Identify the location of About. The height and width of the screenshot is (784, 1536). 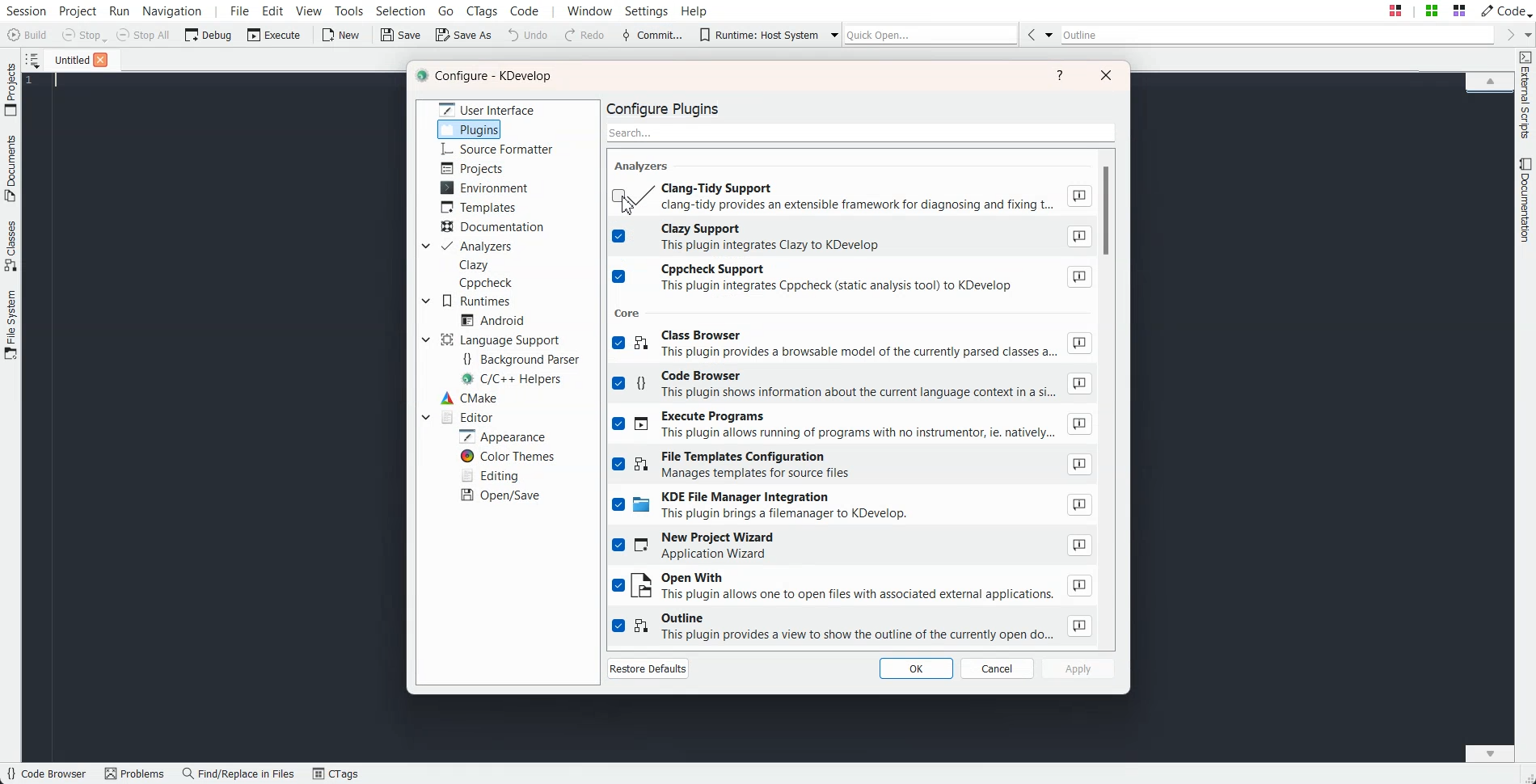
(1078, 585).